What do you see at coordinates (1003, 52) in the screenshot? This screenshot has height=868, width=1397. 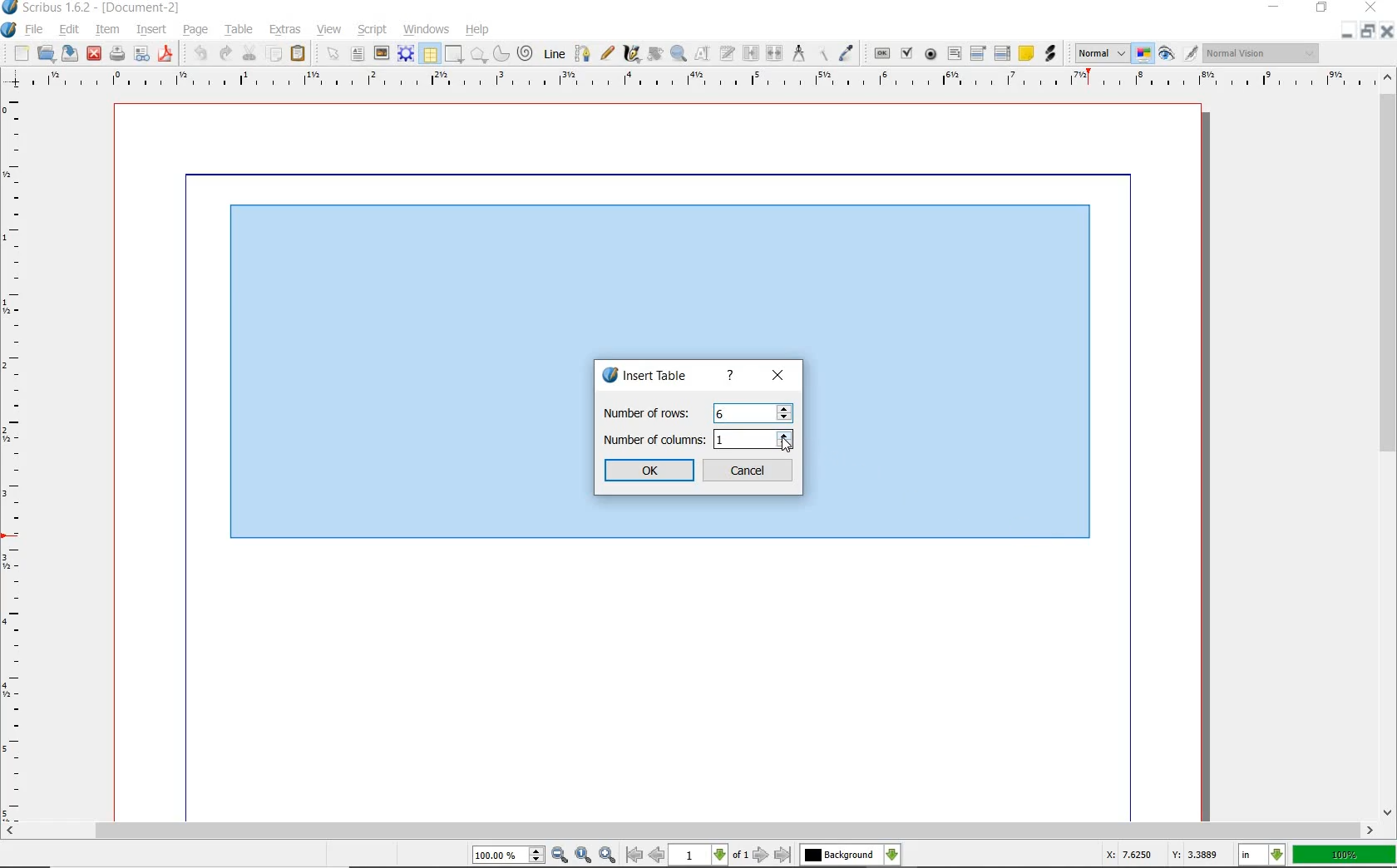 I see `pdf list box` at bounding box center [1003, 52].